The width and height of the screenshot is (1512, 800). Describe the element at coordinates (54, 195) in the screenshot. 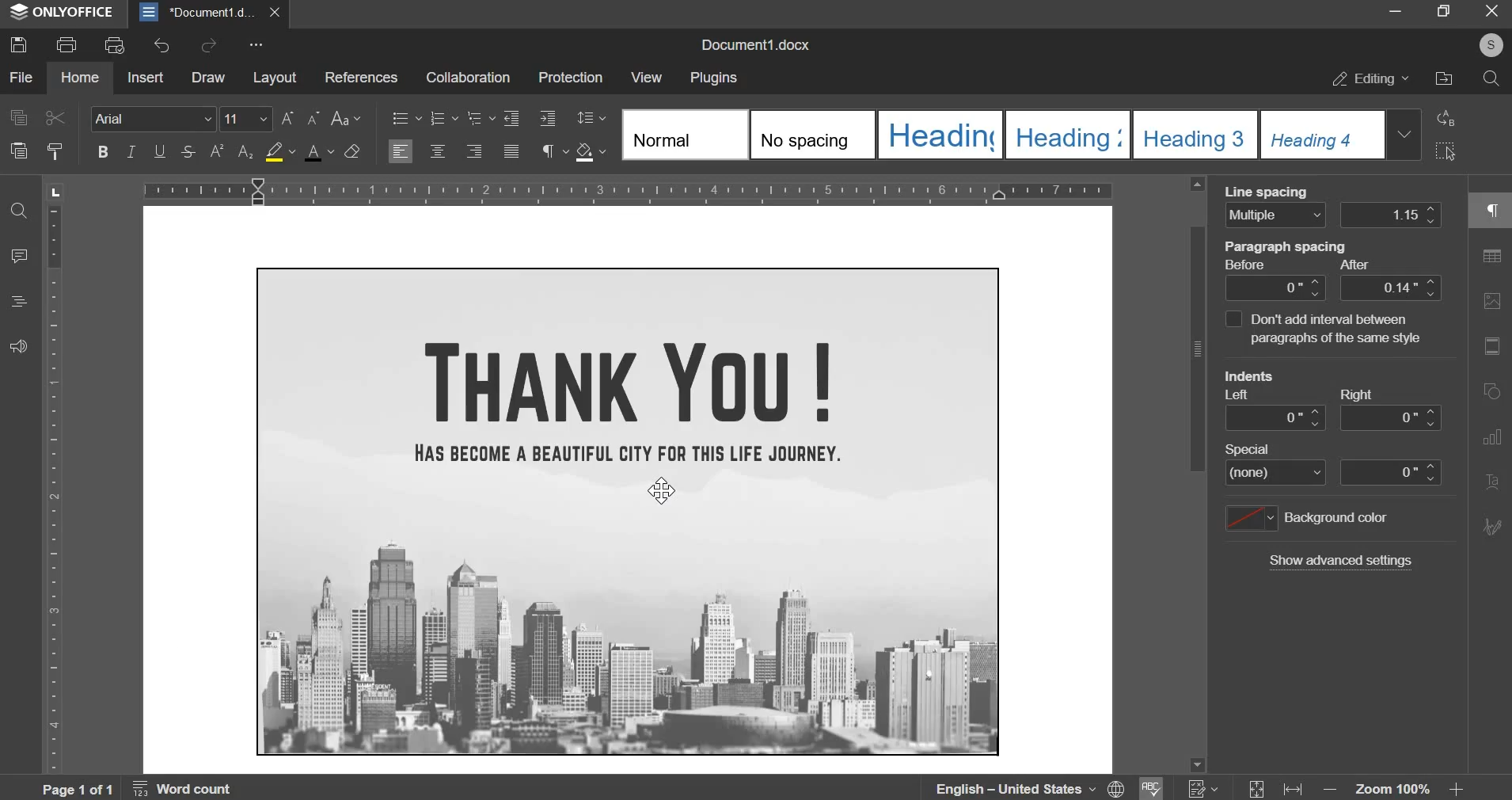

I see `tab` at that location.